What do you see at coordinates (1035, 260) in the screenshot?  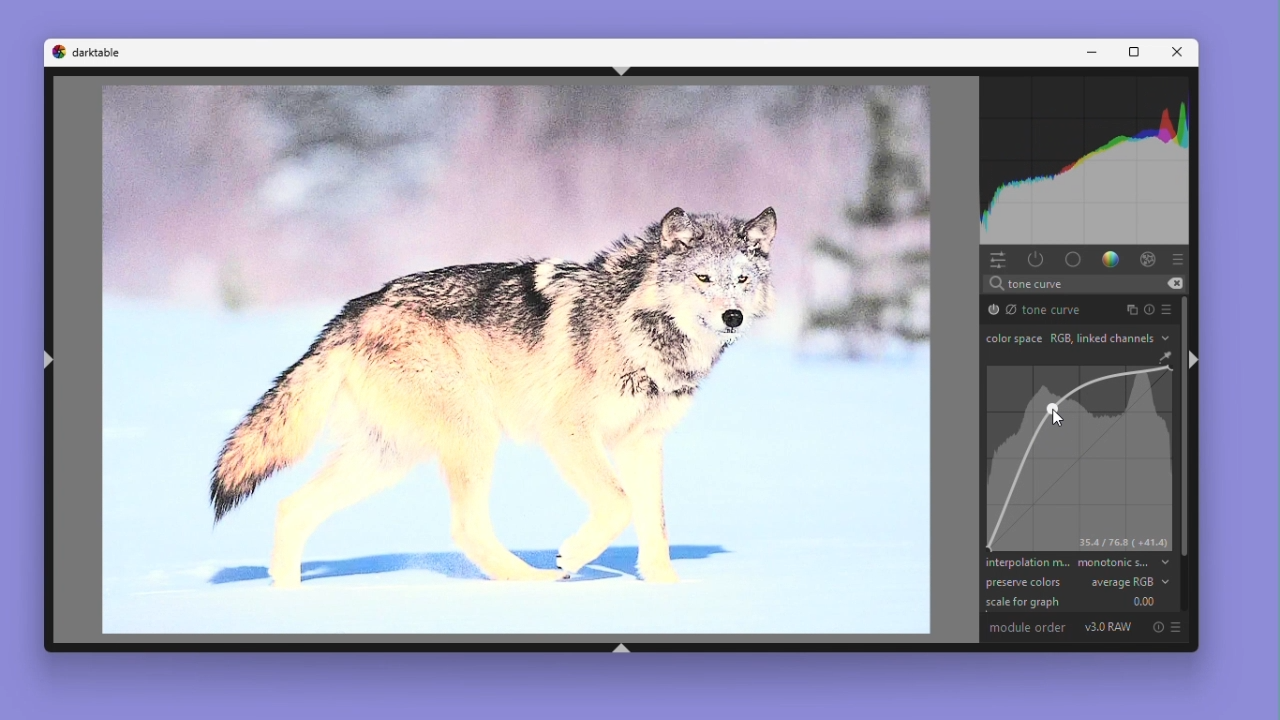 I see `show only active modules` at bounding box center [1035, 260].